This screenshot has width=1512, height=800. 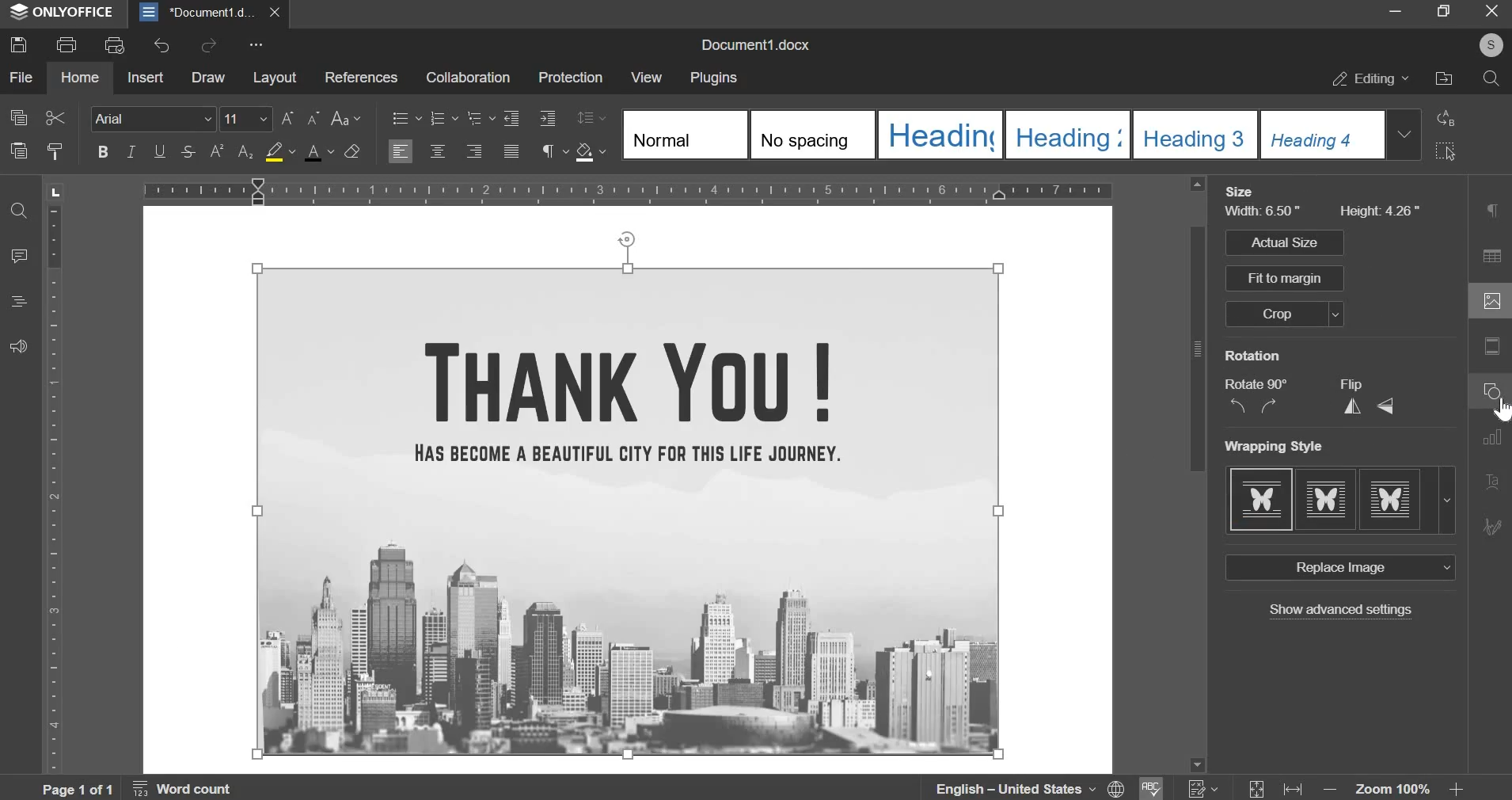 What do you see at coordinates (345, 117) in the screenshot?
I see `change case` at bounding box center [345, 117].